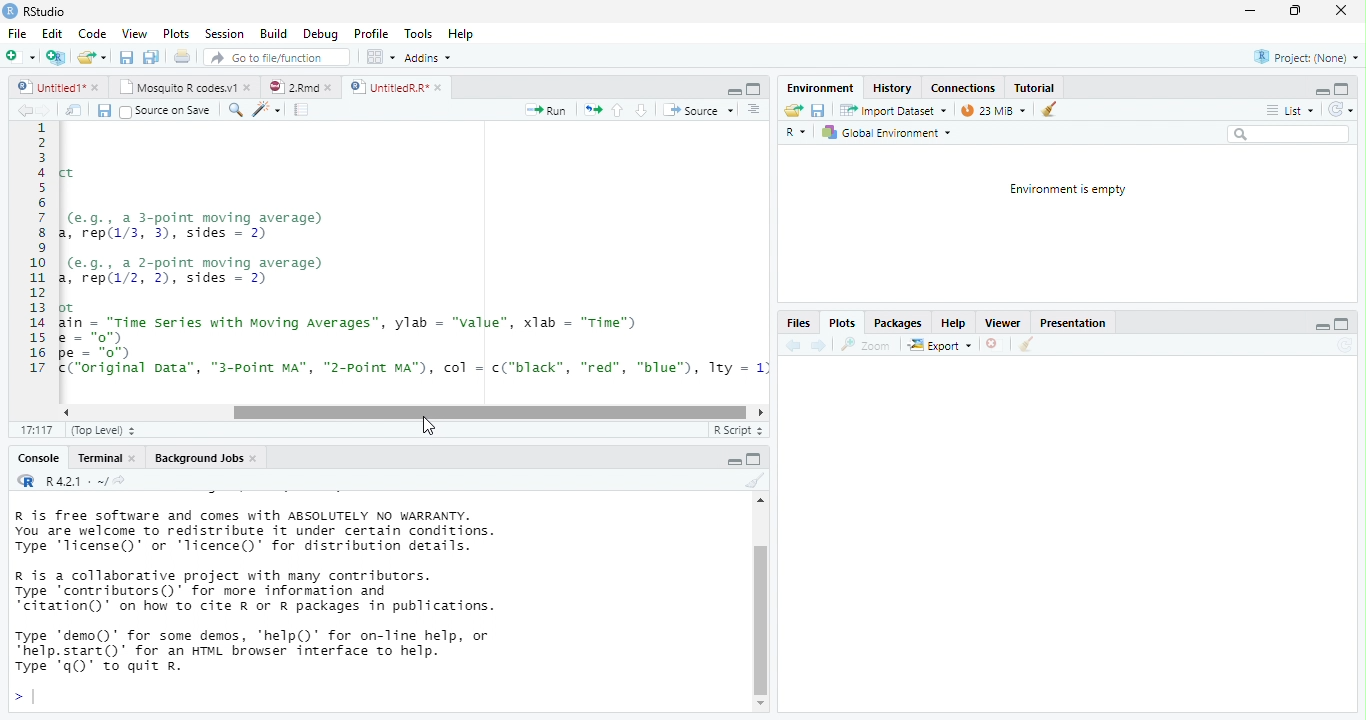 This screenshot has width=1366, height=720. Describe the element at coordinates (120, 480) in the screenshot. I see `view the current working directory` at that location.